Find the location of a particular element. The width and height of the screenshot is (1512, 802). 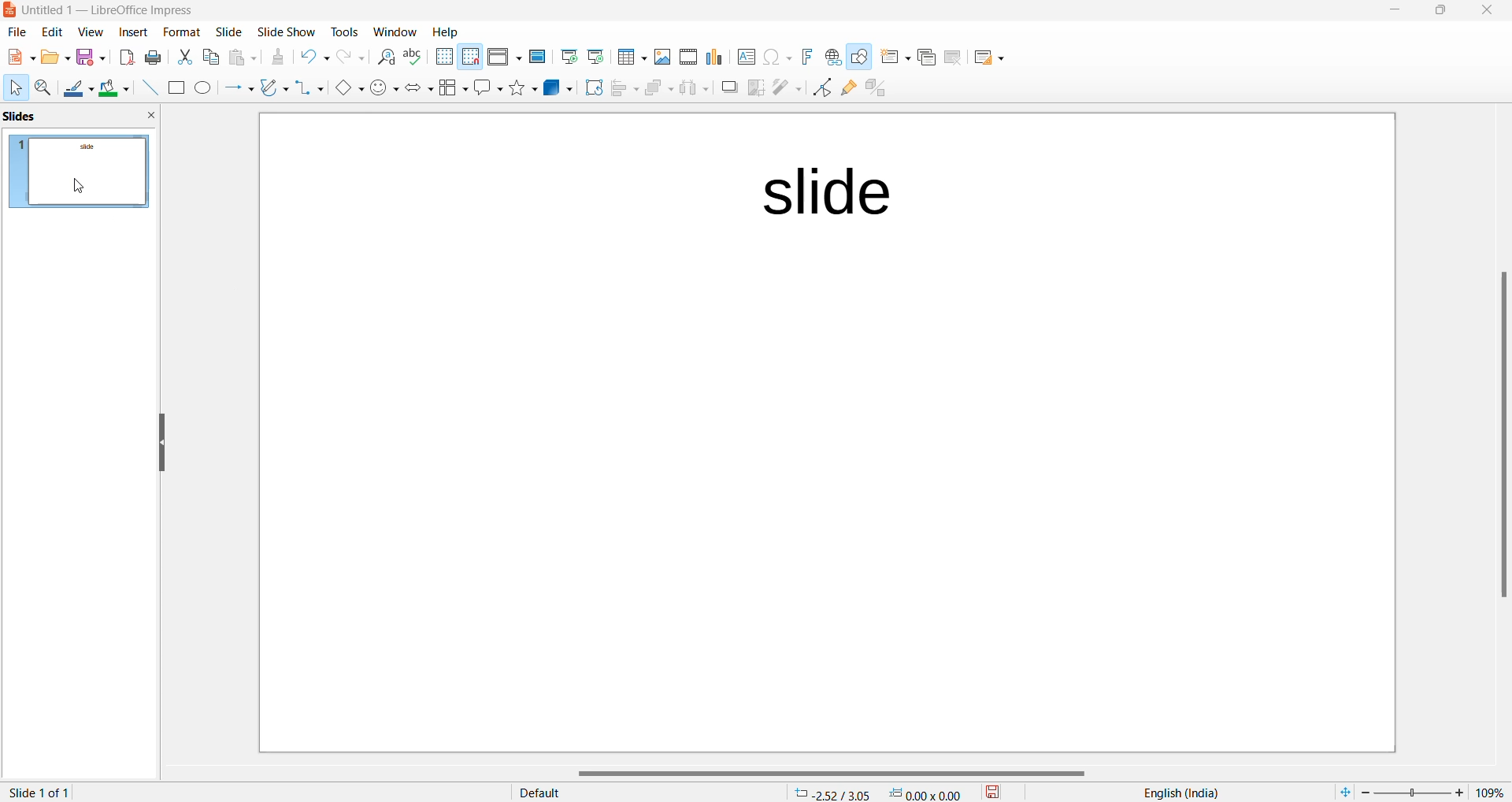

cursor coordinate is located at coordinates (883, 790).